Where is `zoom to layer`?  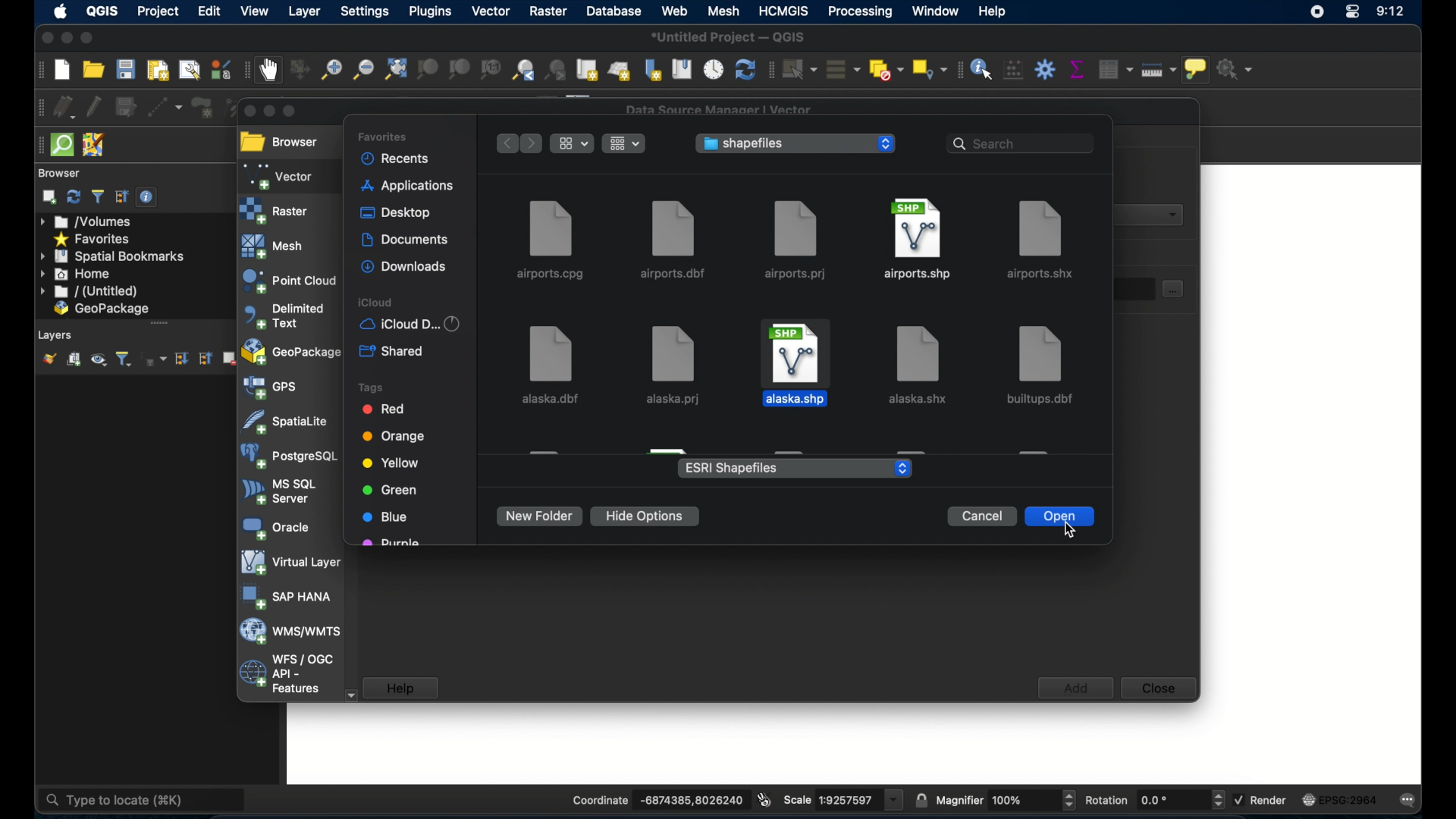 zoom to layer is located at coordinates (460, 70).